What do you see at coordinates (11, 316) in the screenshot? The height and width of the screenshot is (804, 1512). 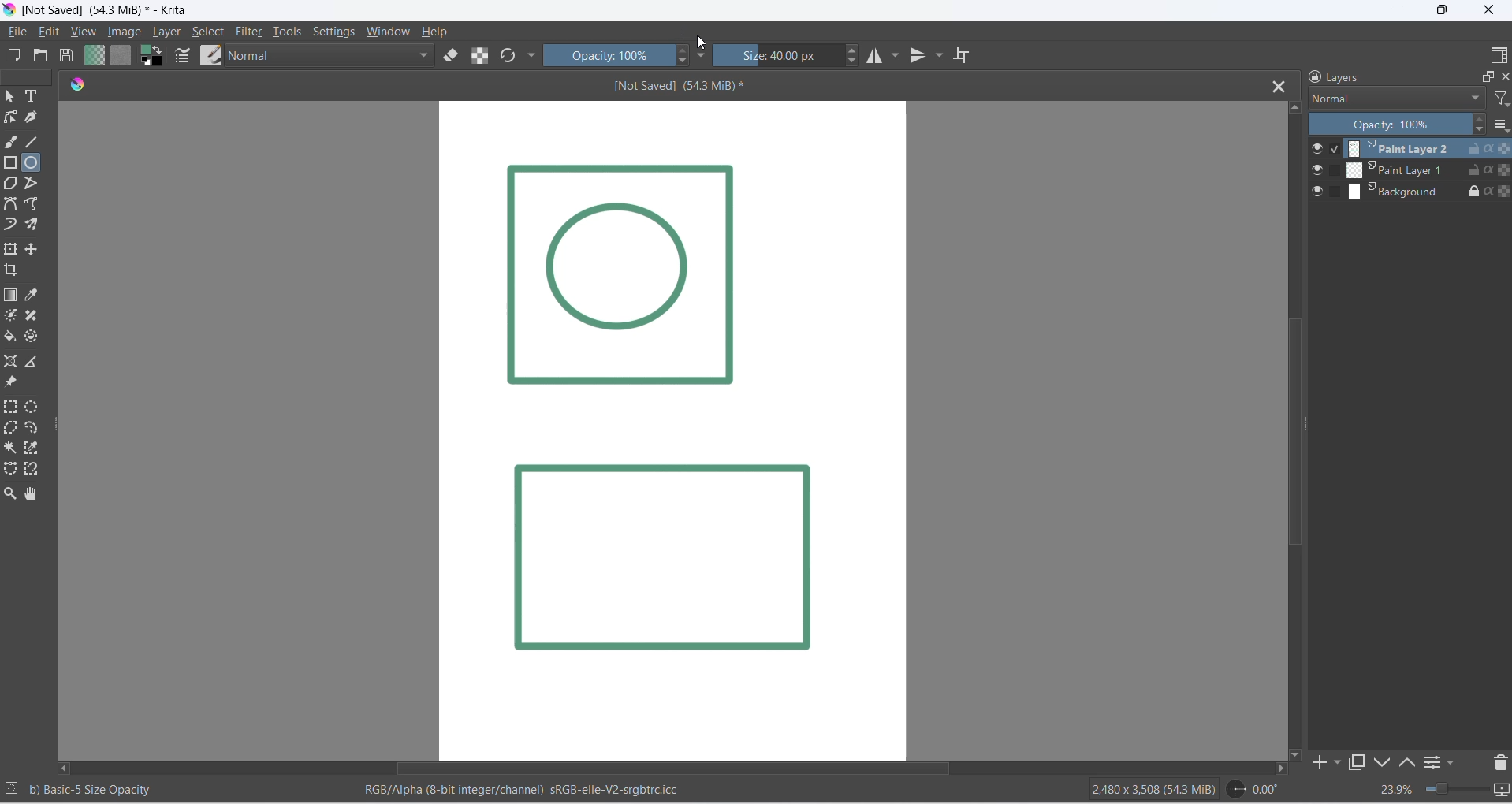 I see `mask tool` at bounding box center [11, 316].